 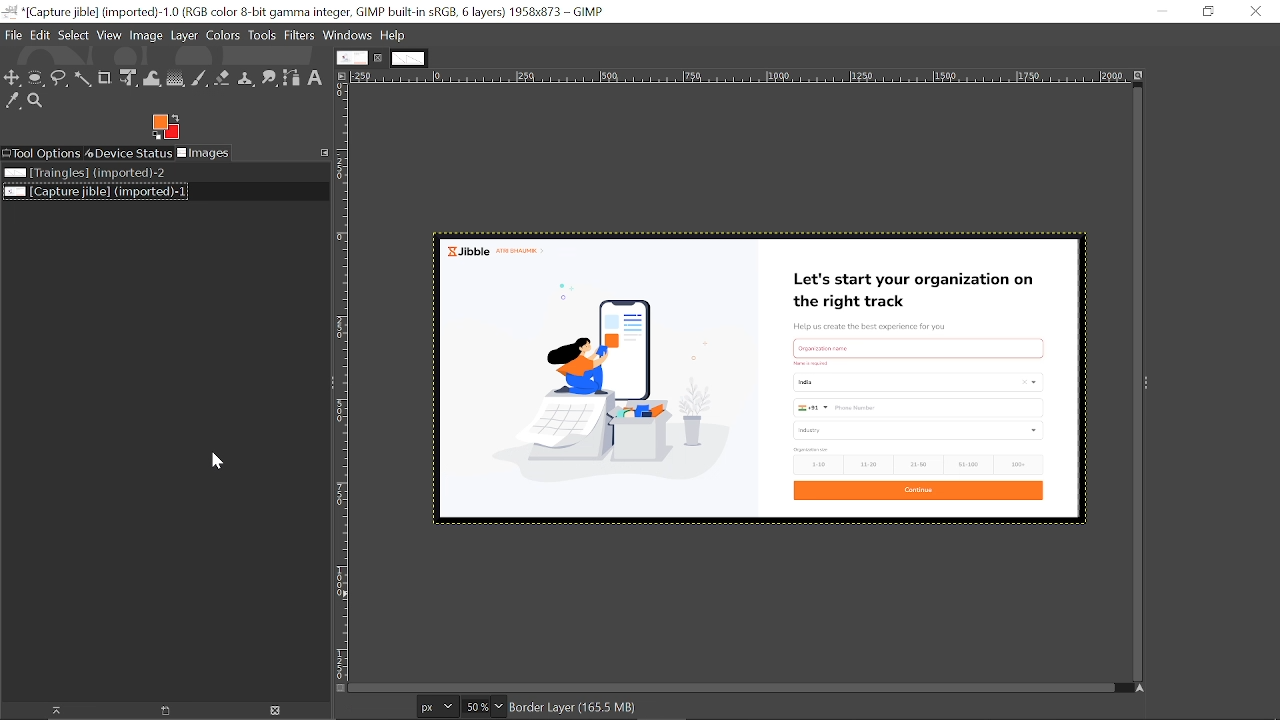 I want to click on Colors, so click(x=222, y=35).